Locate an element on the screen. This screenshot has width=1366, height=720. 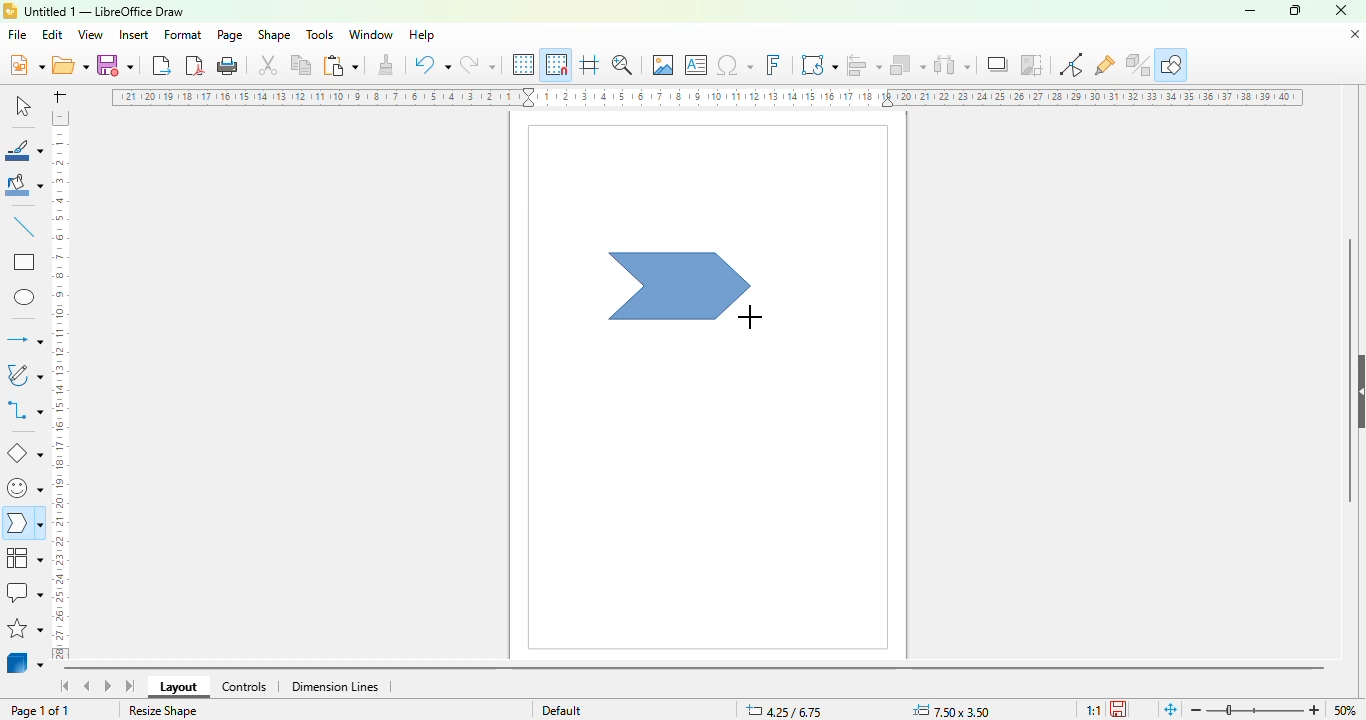
connectors is located at coordinates (24, 409).